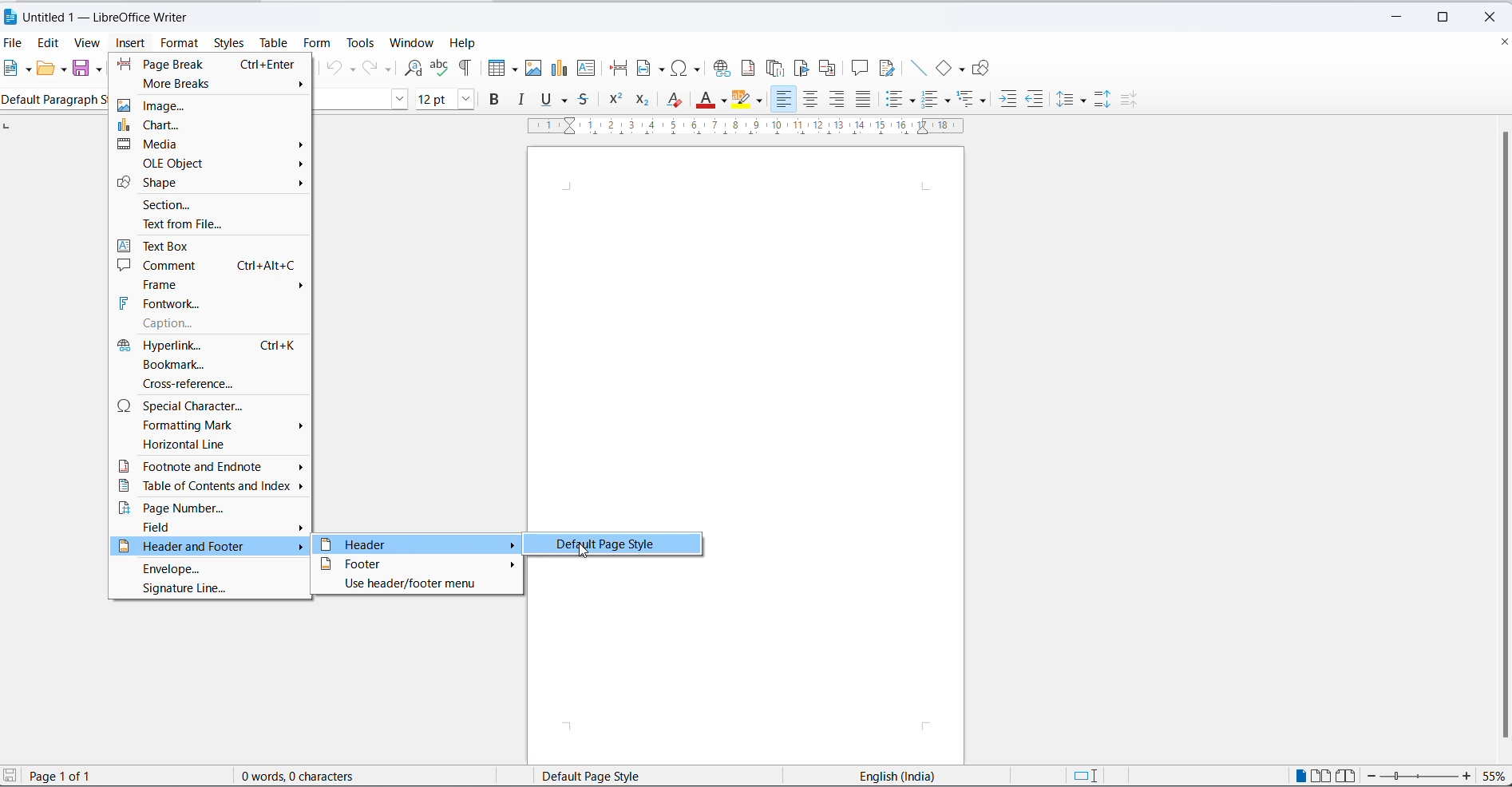 This screenshot has width=1512, height=787. I want to click on font color, so click(703, 99).